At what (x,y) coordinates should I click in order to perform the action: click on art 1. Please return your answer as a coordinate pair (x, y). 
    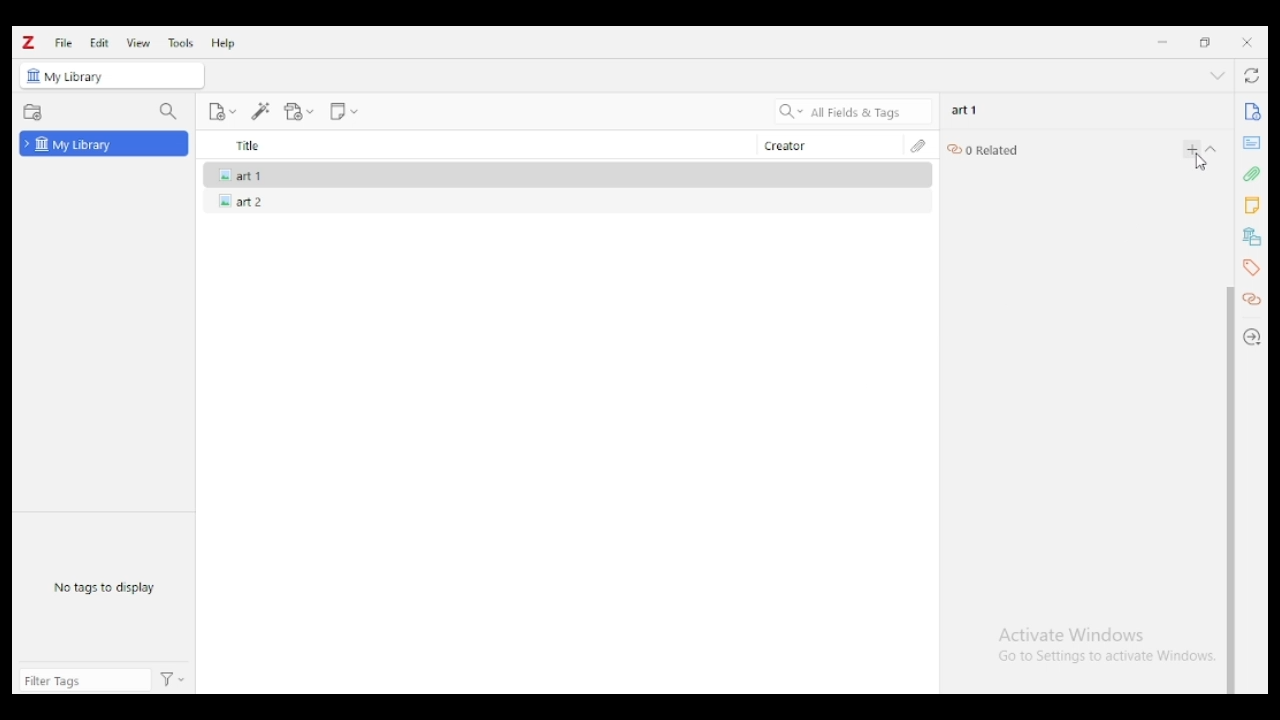
    Looking at the image, I should click on (237, 173).